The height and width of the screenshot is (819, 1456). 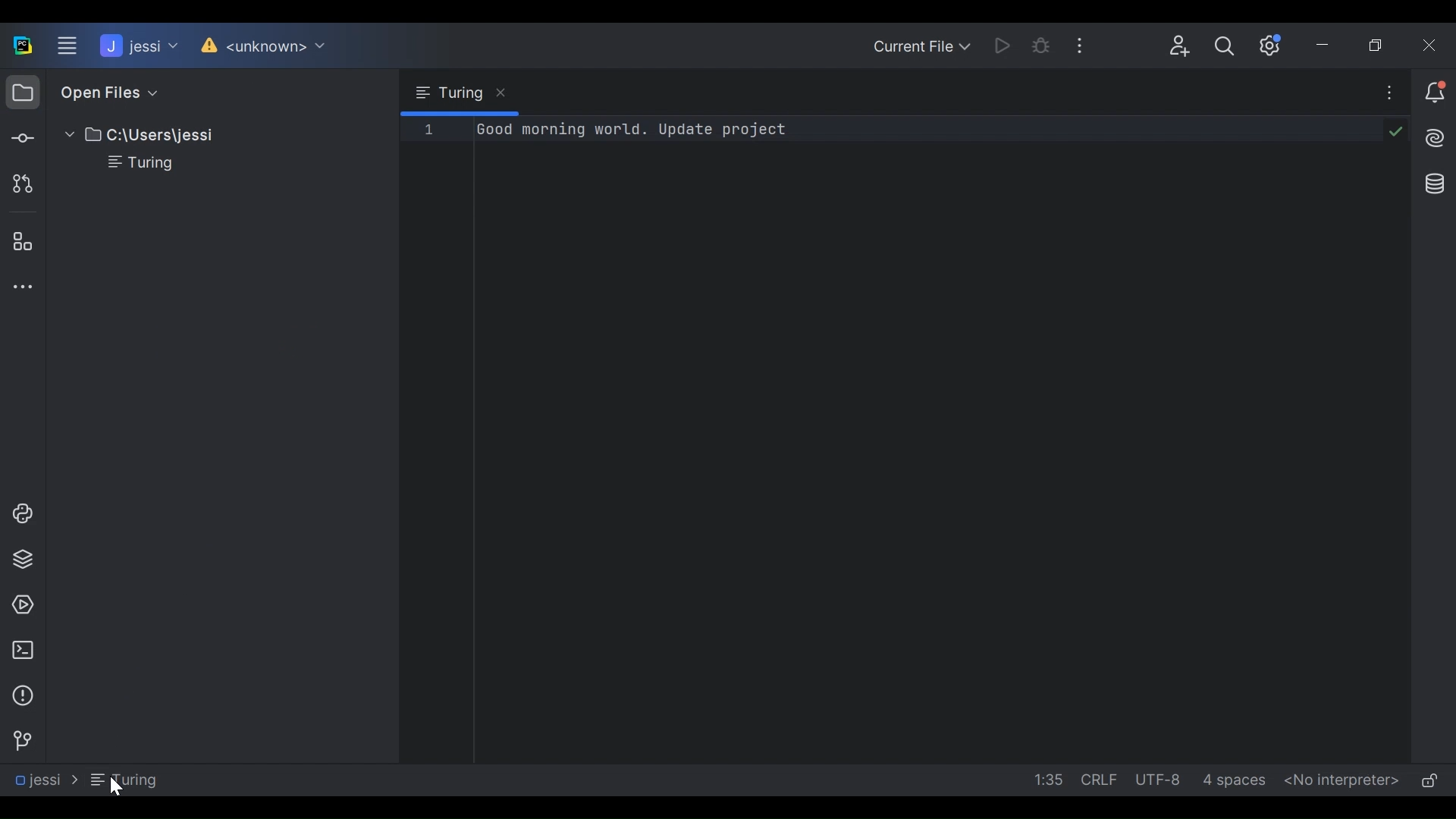 What do you see at coordinates (458, 93) in the screenshot?
I see `Browse tab` at bounding box center [458, 93].